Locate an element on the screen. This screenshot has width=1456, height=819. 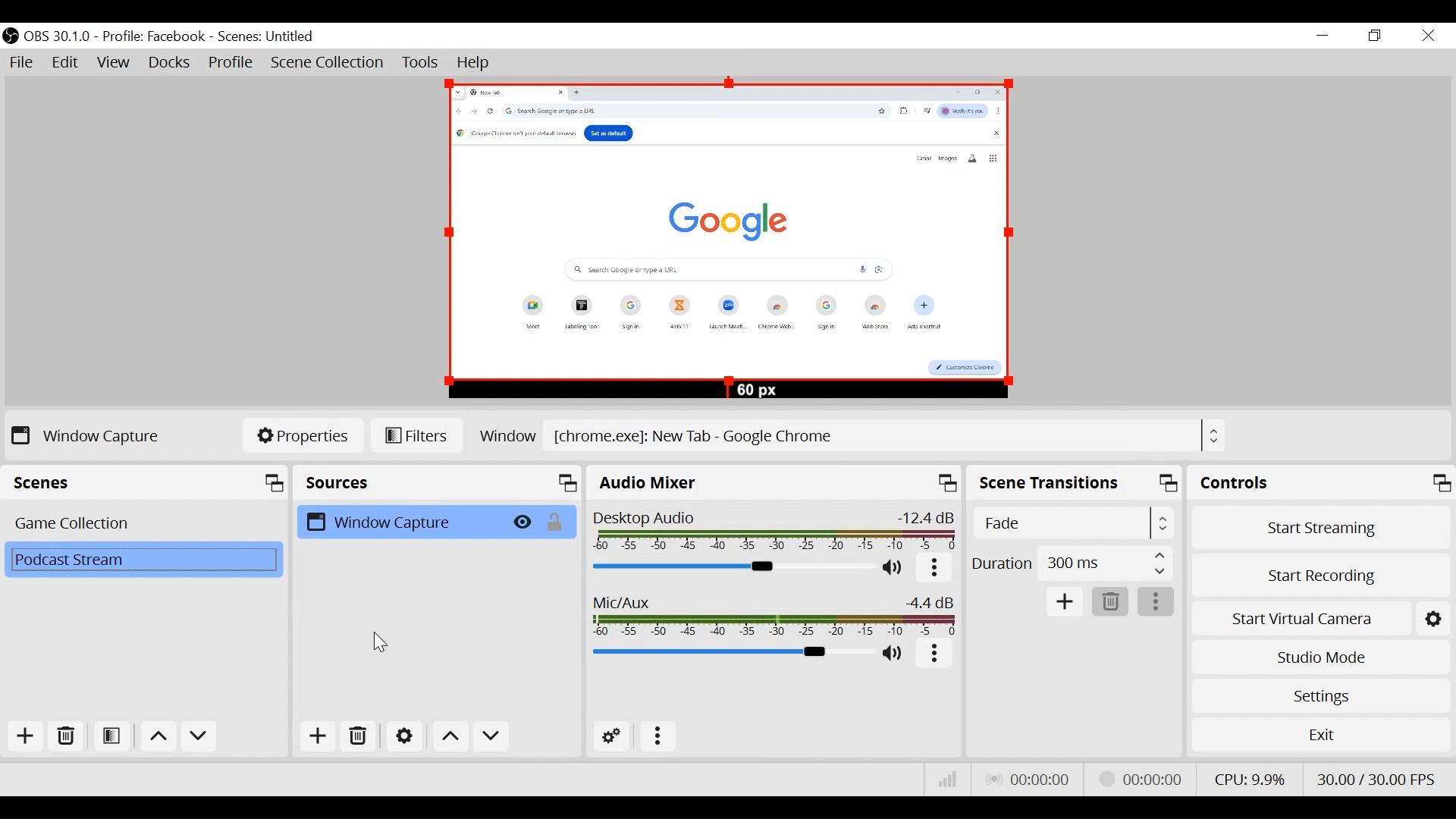
Edit is located at coordinates (65, 63).